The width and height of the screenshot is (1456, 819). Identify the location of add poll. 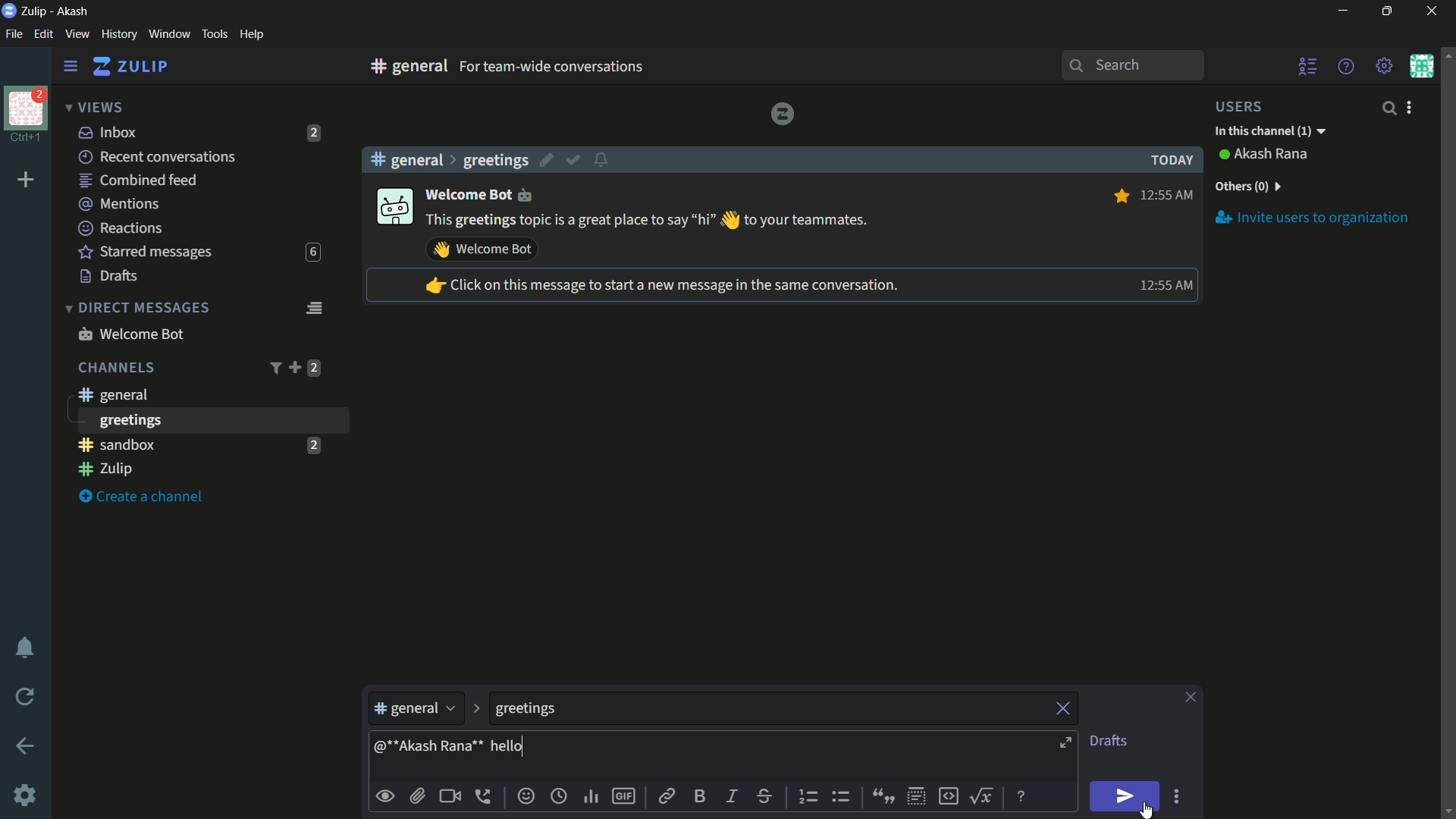
(592, 798).